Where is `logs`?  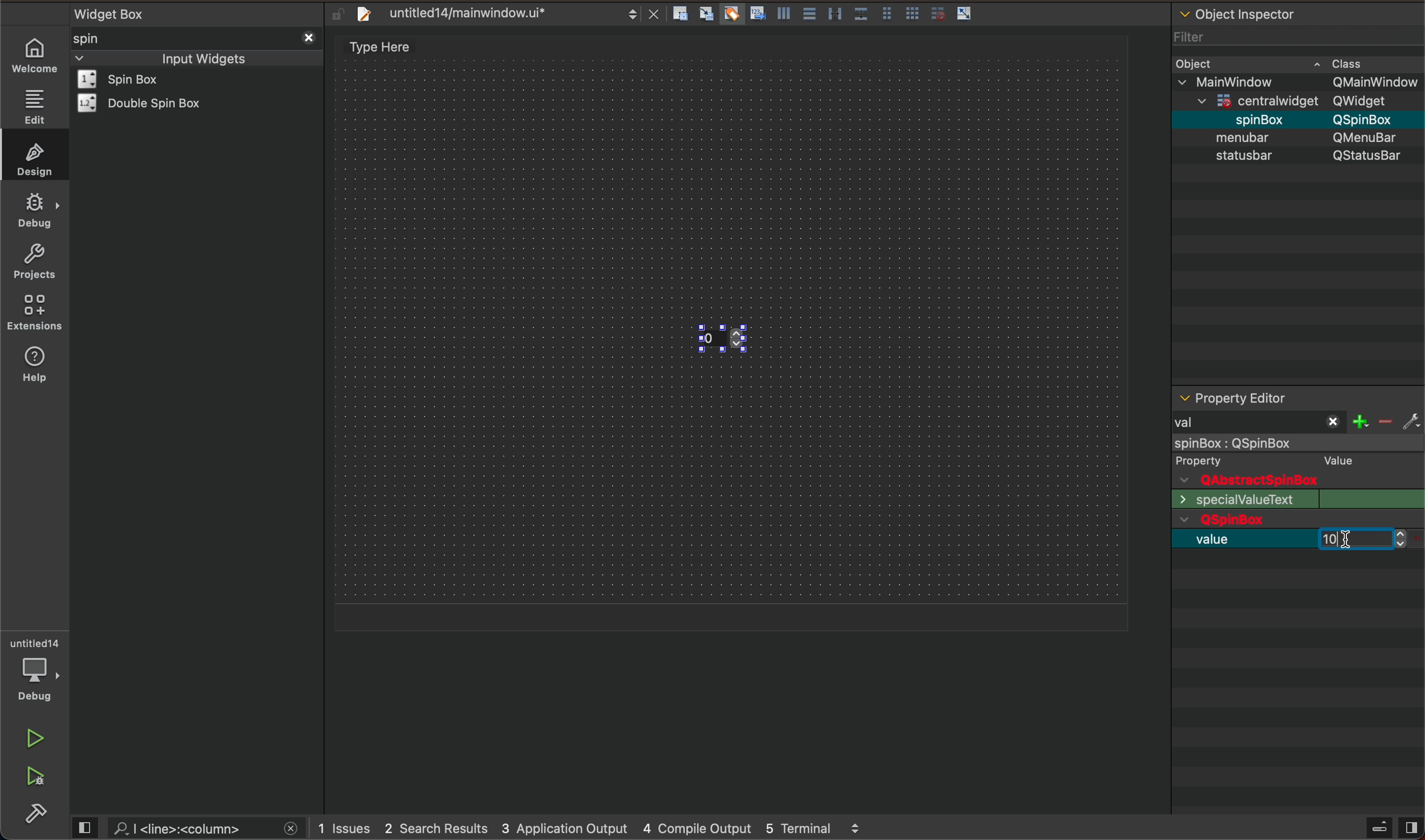 logs is located at coordinates (601, 829).